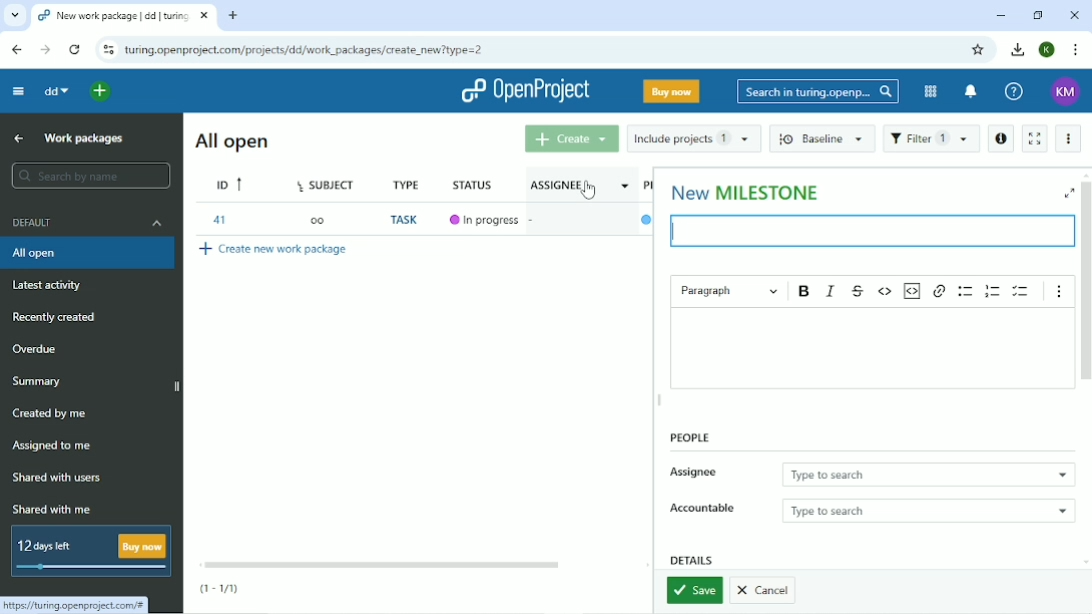  I want to click on Modules, so click(929, 92).